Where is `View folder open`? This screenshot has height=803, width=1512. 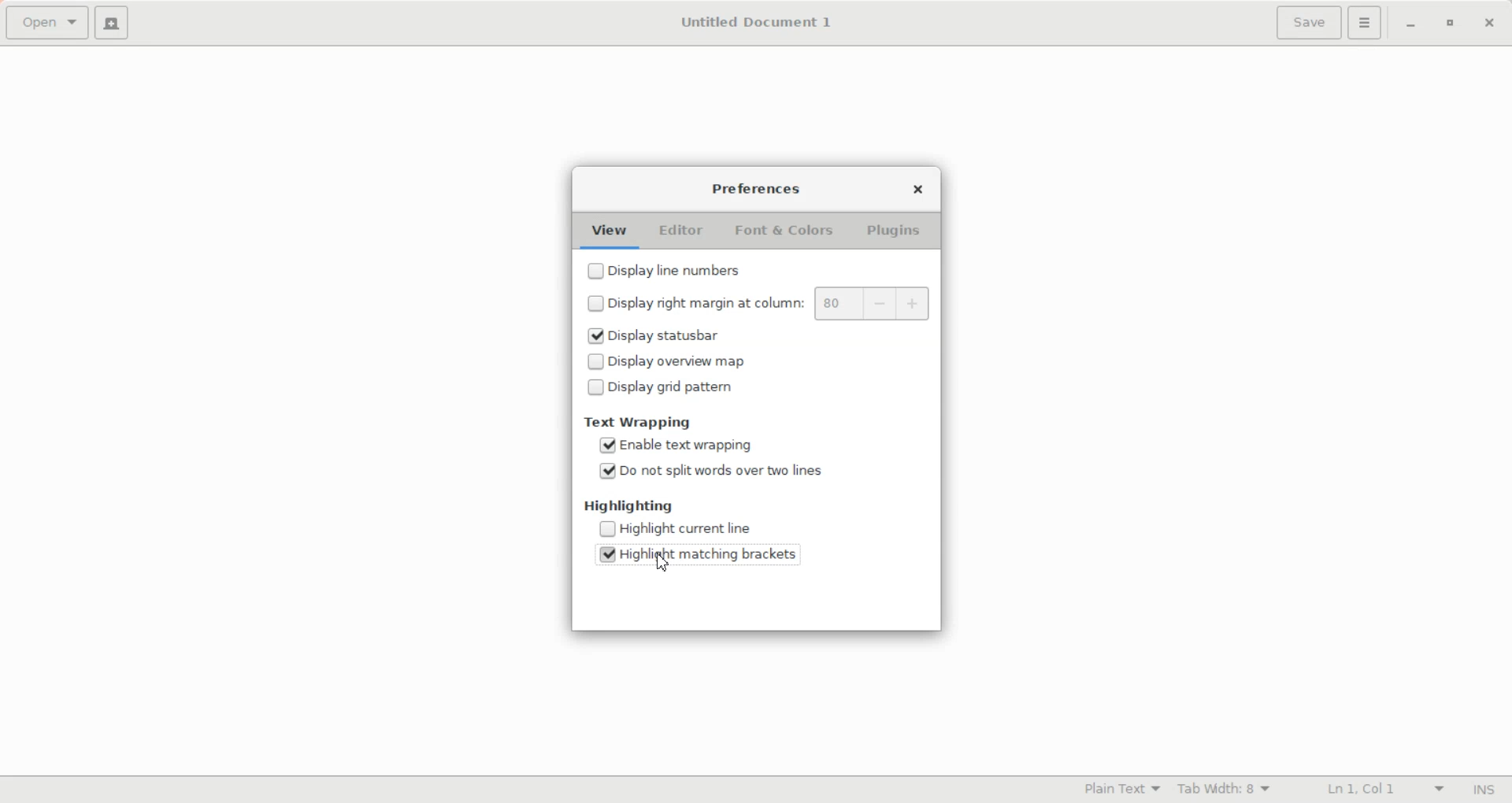 View folder open is located at coordinates (610, 232).